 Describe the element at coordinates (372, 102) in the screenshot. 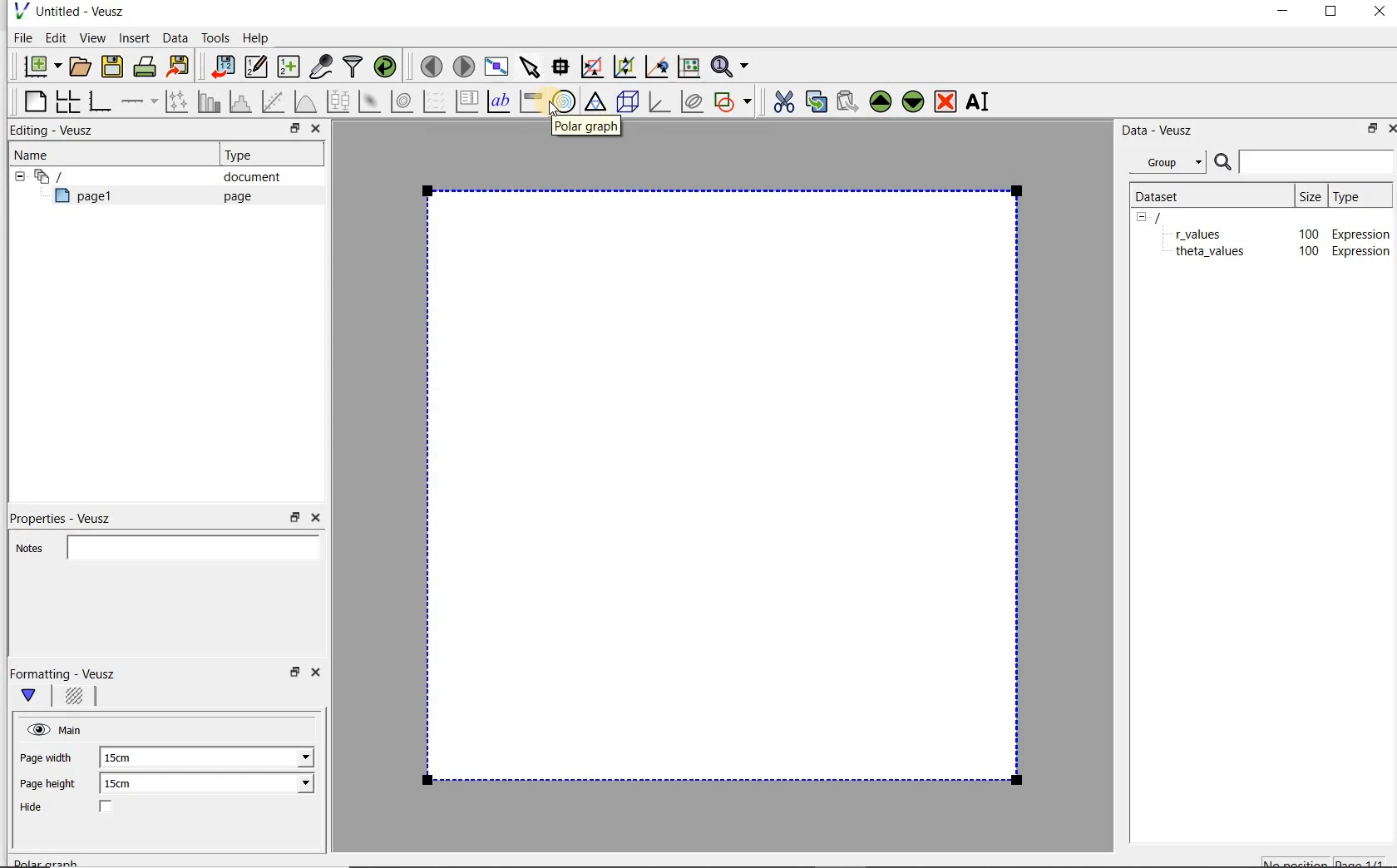

I see `plot a 2d dataset as an image` at that location.